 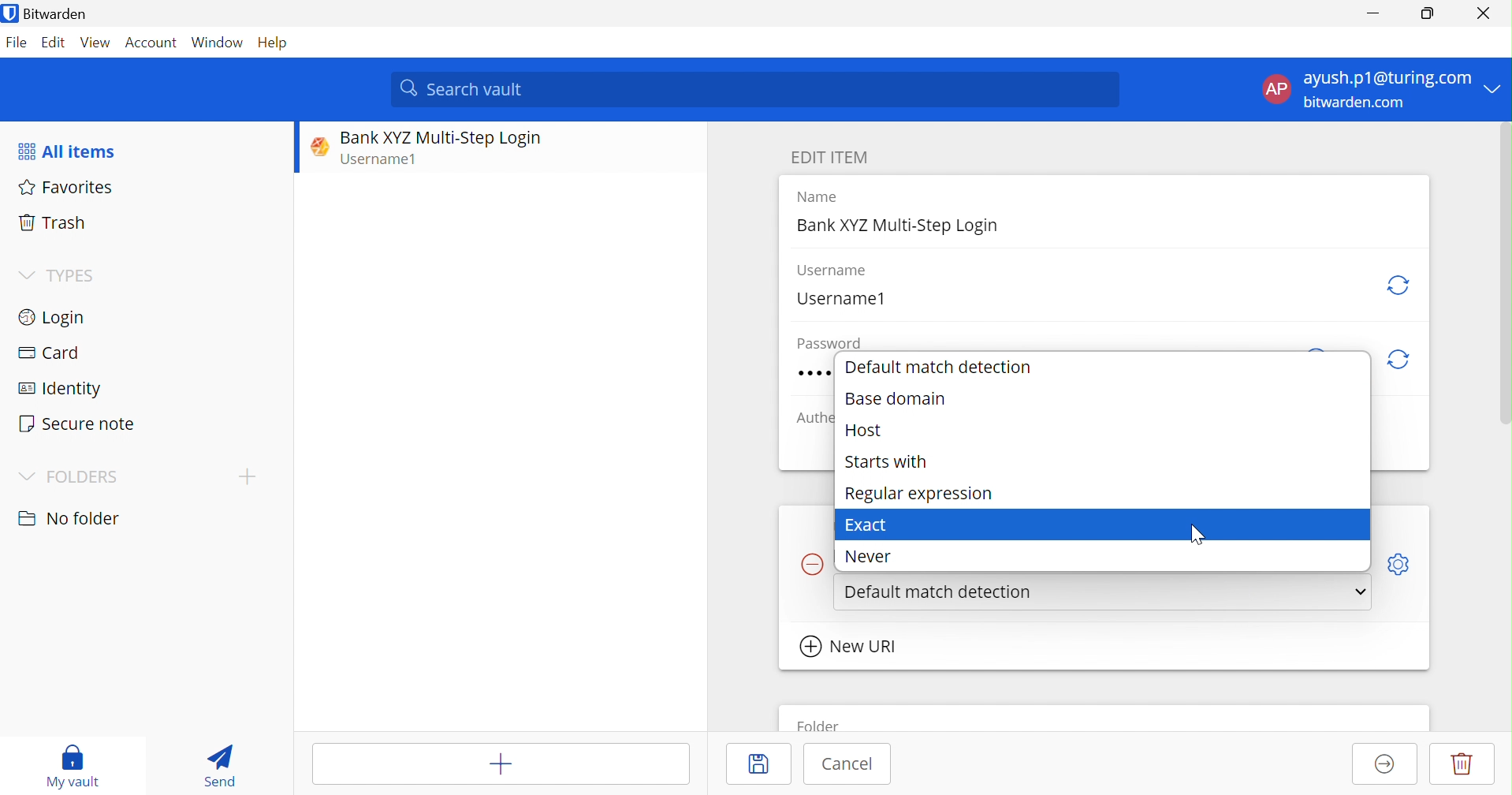 I want to click on Delete, so click(x=1462, y=763).